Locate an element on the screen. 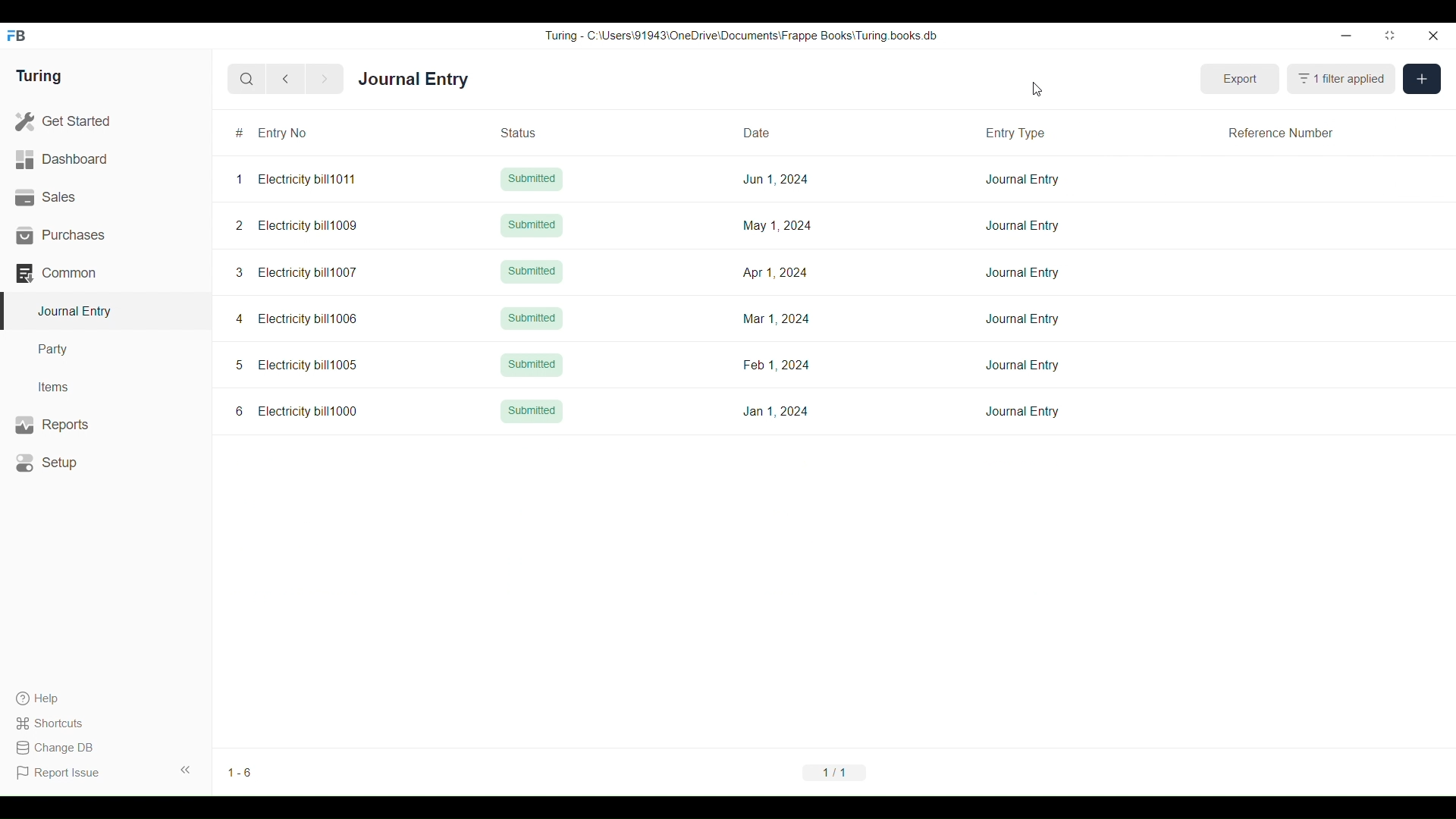 The width and height of the screenshot is (1456, 819). Party is located at coordinates (105, 350).